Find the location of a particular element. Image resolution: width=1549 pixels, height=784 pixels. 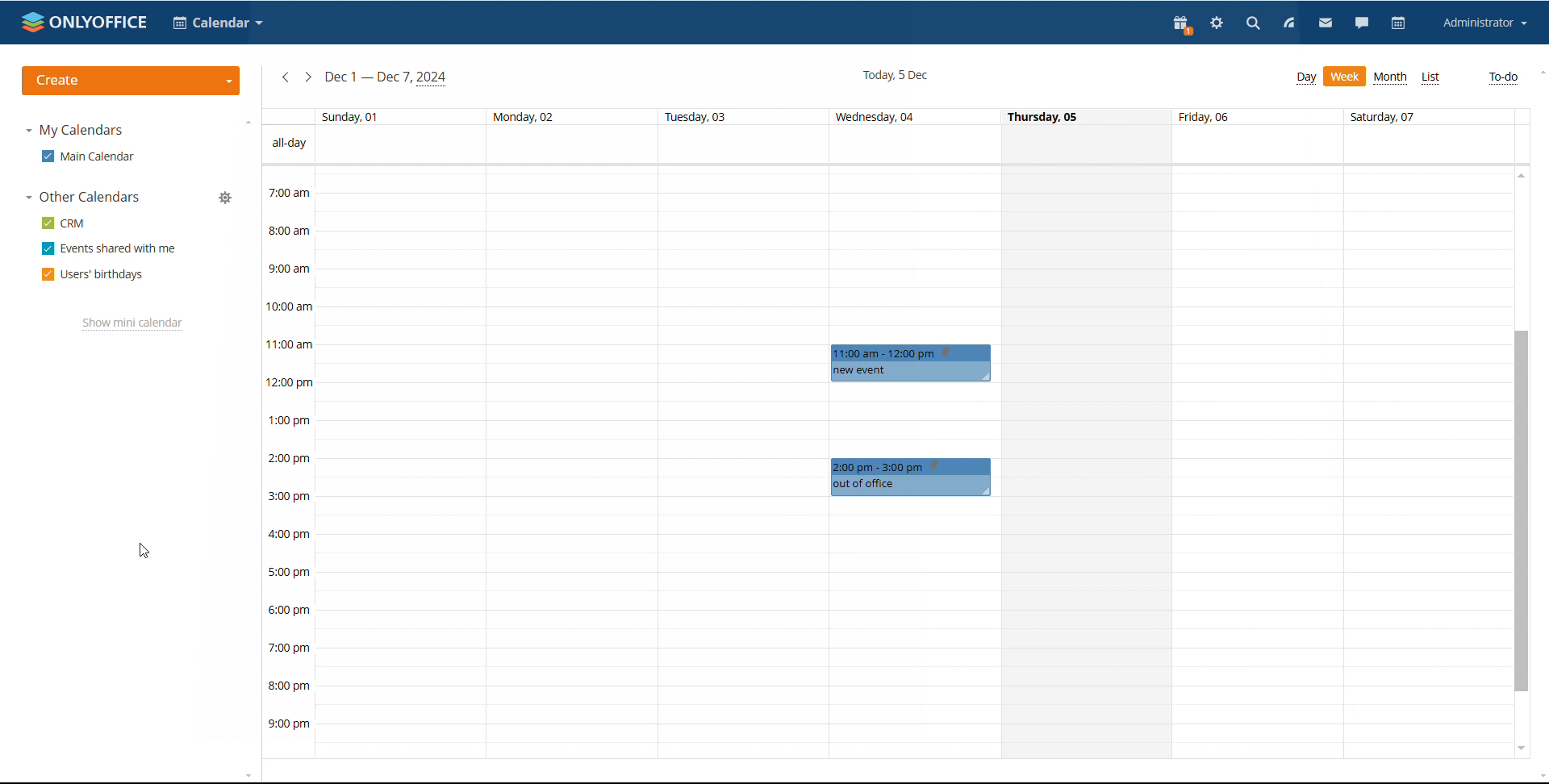

scrollbar is located at coordinates (1522, 511).